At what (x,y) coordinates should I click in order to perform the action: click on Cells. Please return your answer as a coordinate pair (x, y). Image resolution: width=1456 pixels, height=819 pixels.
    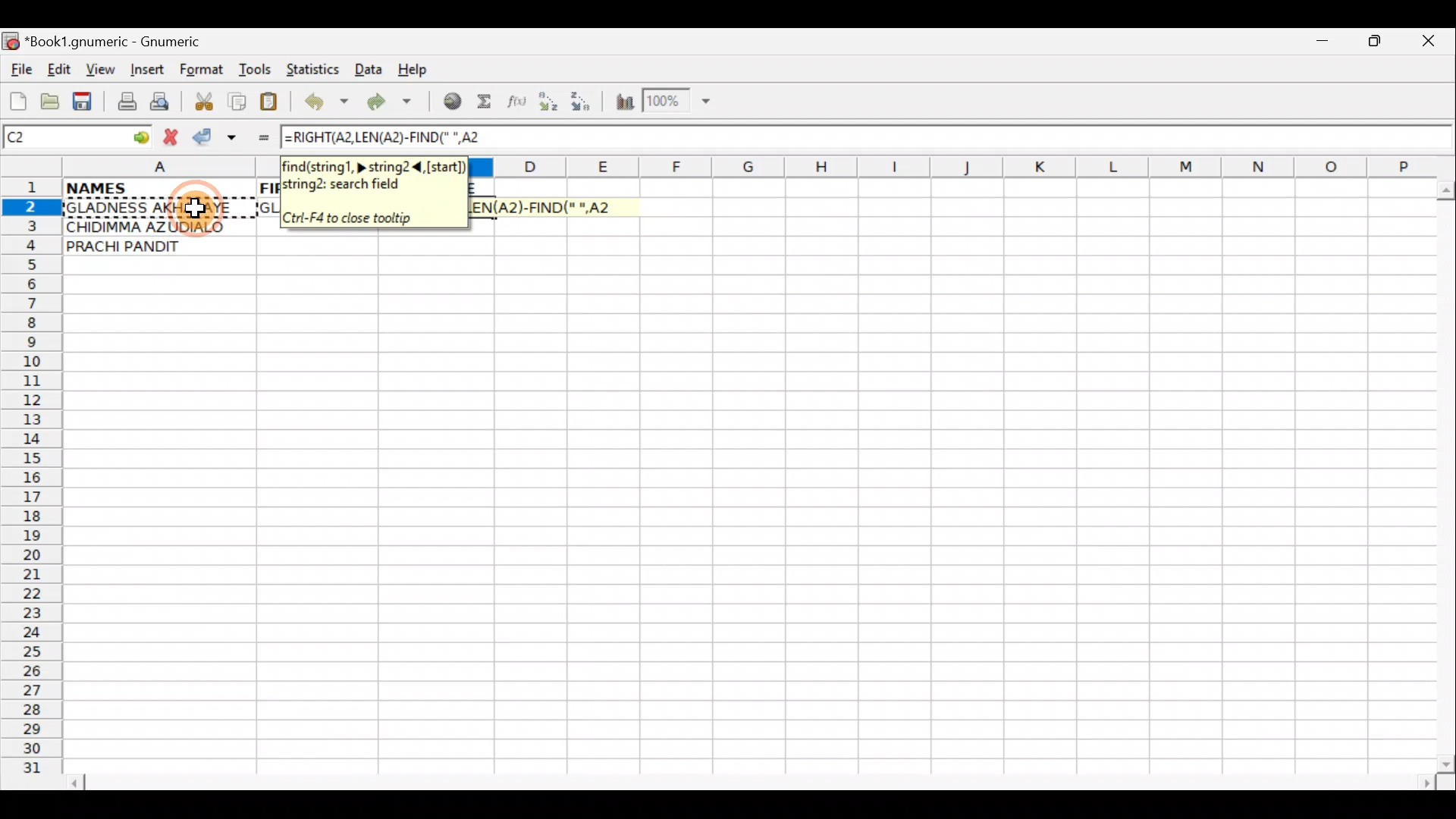
    Looking at the image, I should click on (754, 526).